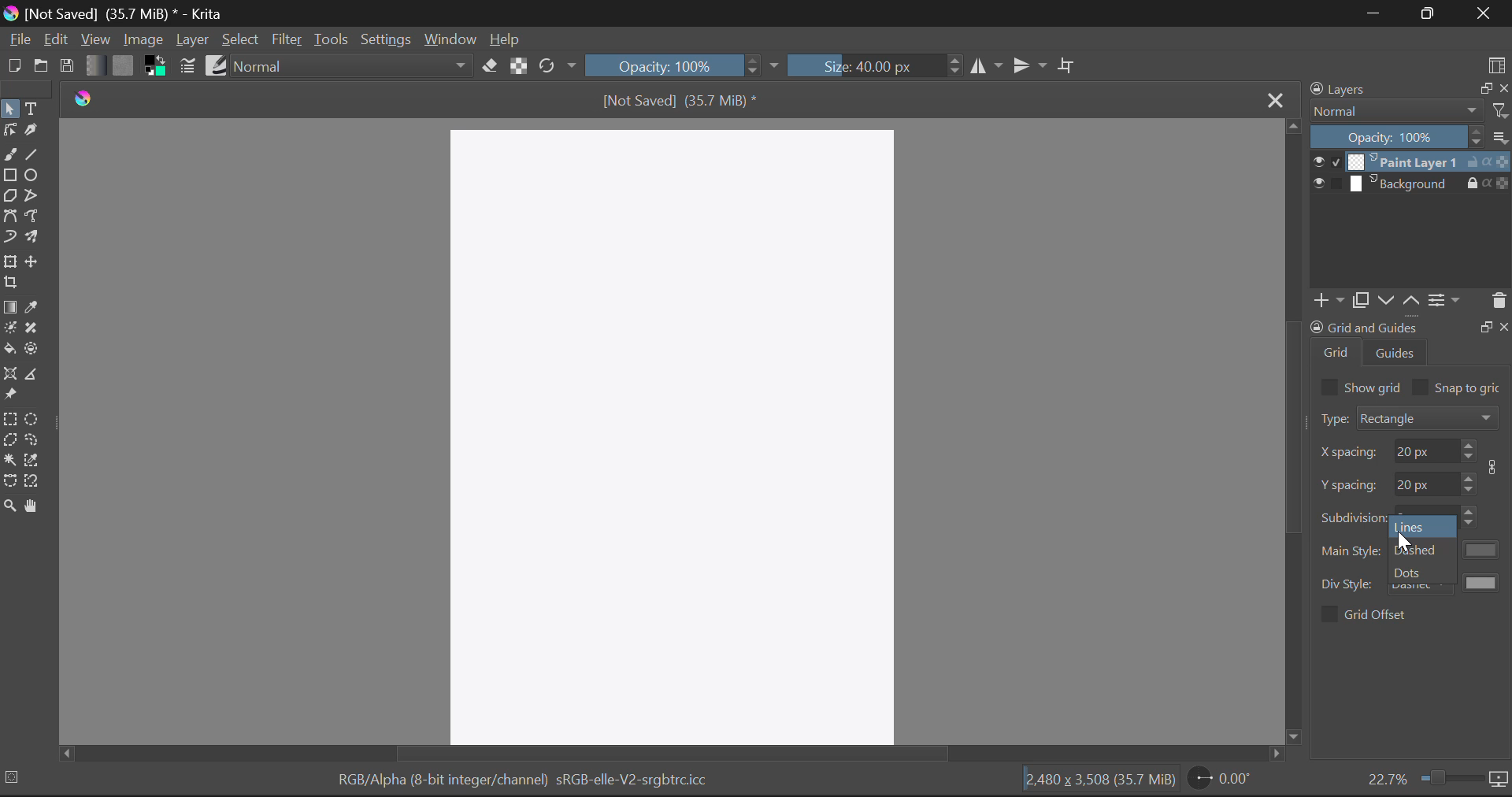 This screenshot has height=797, width=1512. What do you see at coordinates (9, 506) in the screenshot?
I see `Zoom` at bounding box center [9, 506].